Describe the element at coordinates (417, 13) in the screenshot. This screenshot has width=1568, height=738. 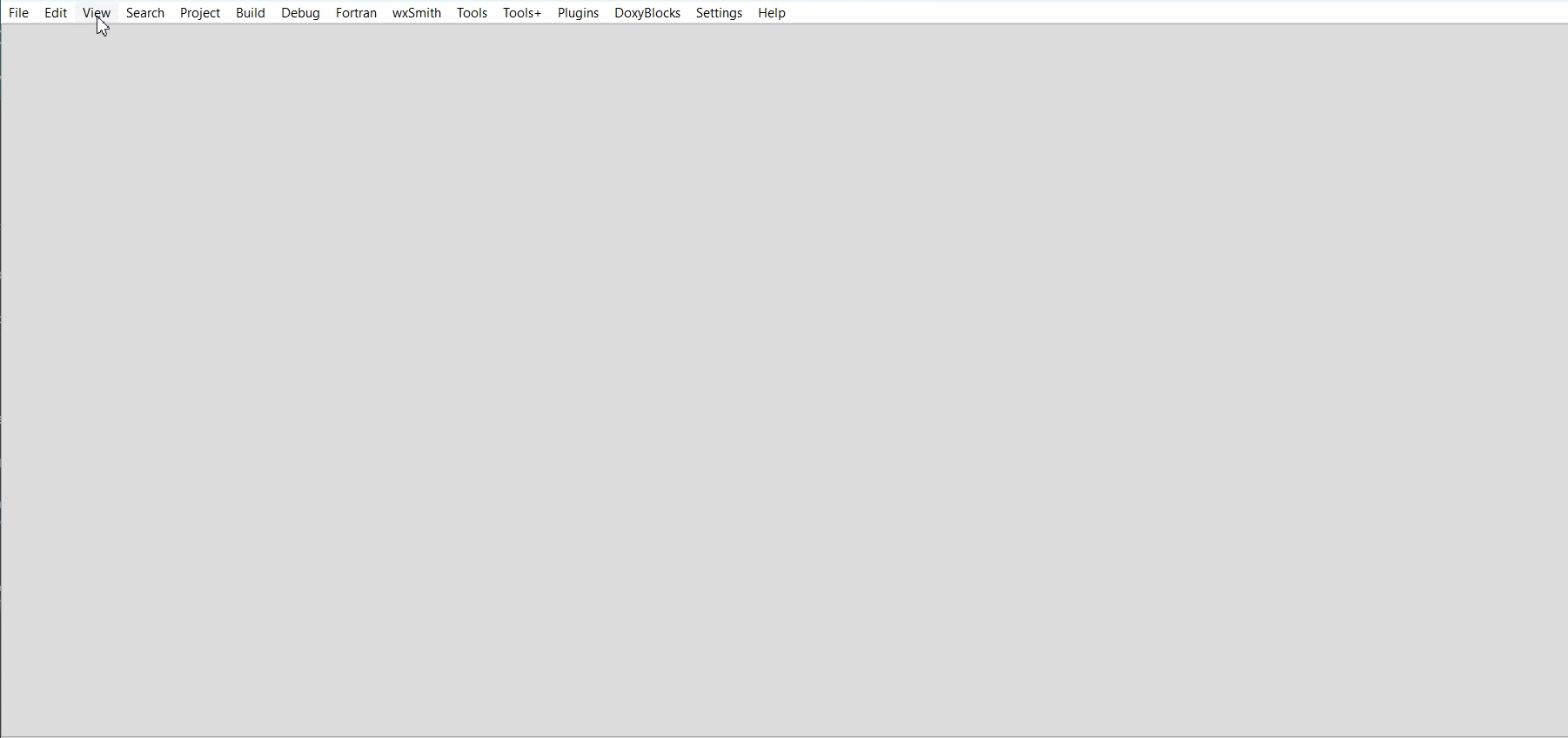
I see `wxSmith` at that location.